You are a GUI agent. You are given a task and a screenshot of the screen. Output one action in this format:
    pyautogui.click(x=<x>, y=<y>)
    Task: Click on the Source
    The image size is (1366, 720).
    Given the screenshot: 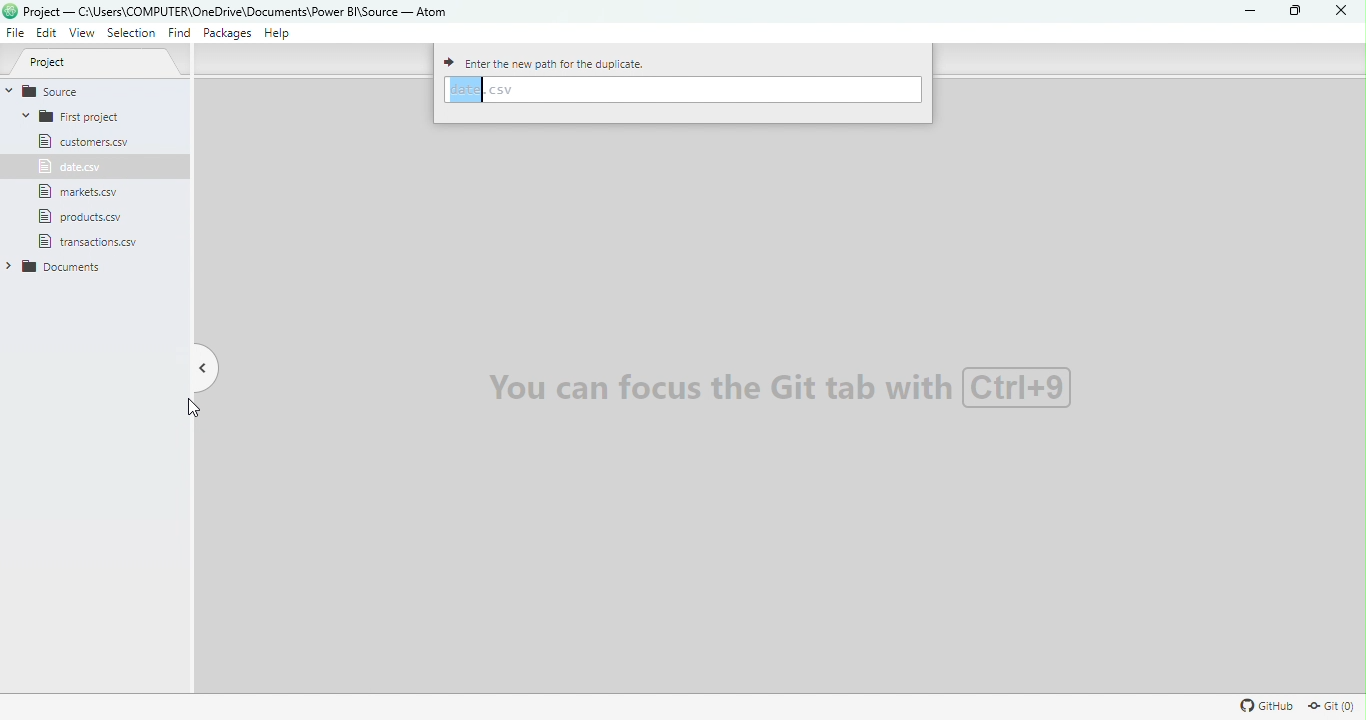 What is the action you would take?
    pyautogui.click(x=77, y=90)
    